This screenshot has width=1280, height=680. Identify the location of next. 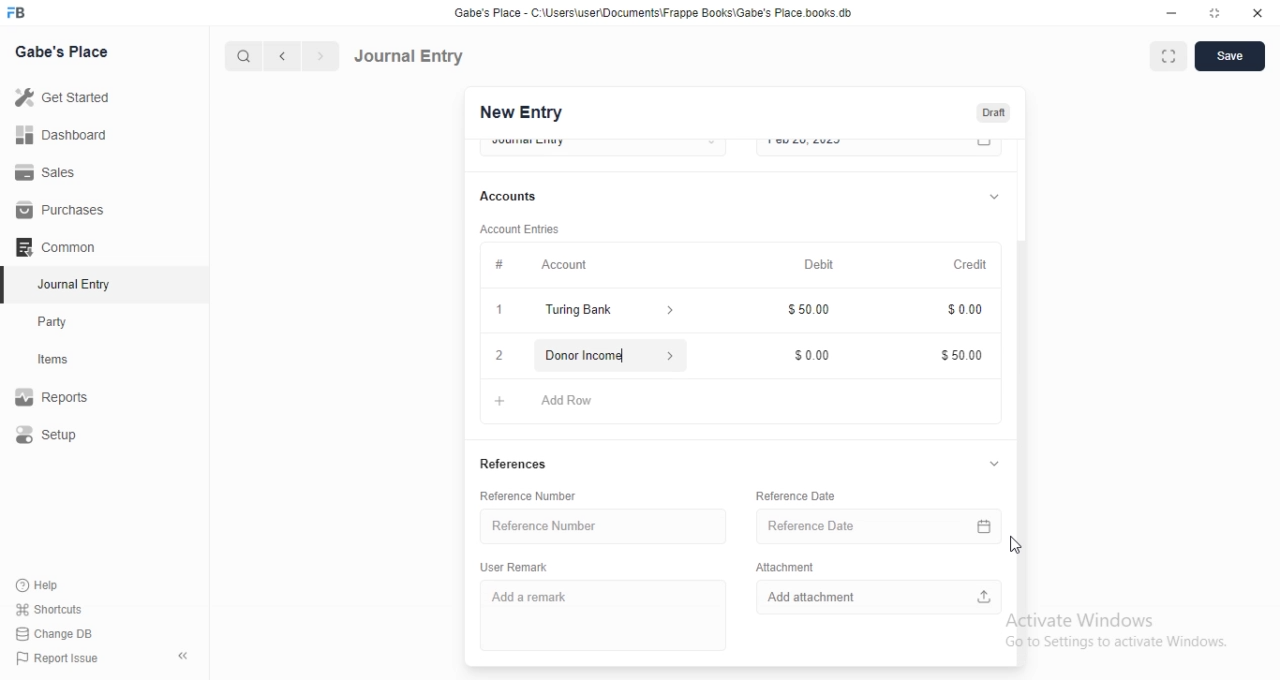
(318, 57).